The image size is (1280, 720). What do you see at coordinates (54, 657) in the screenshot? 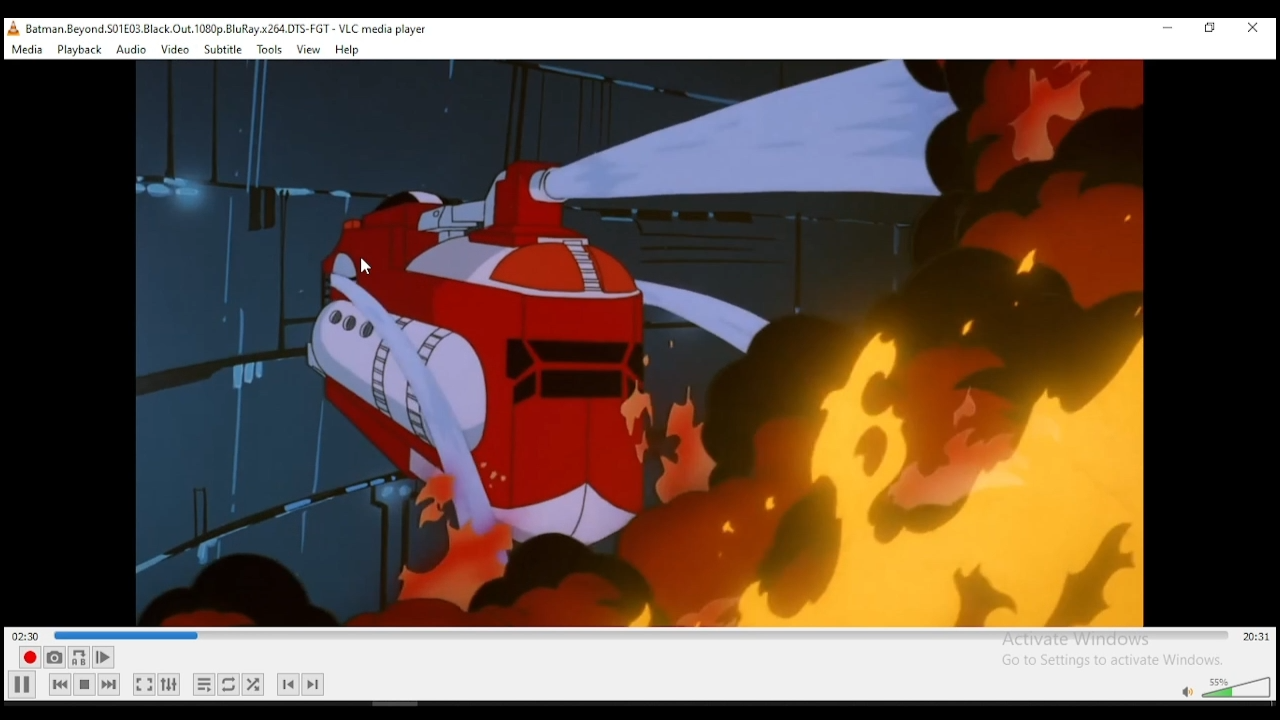
I see `take a snapshot` at bounding box center [54, 657].